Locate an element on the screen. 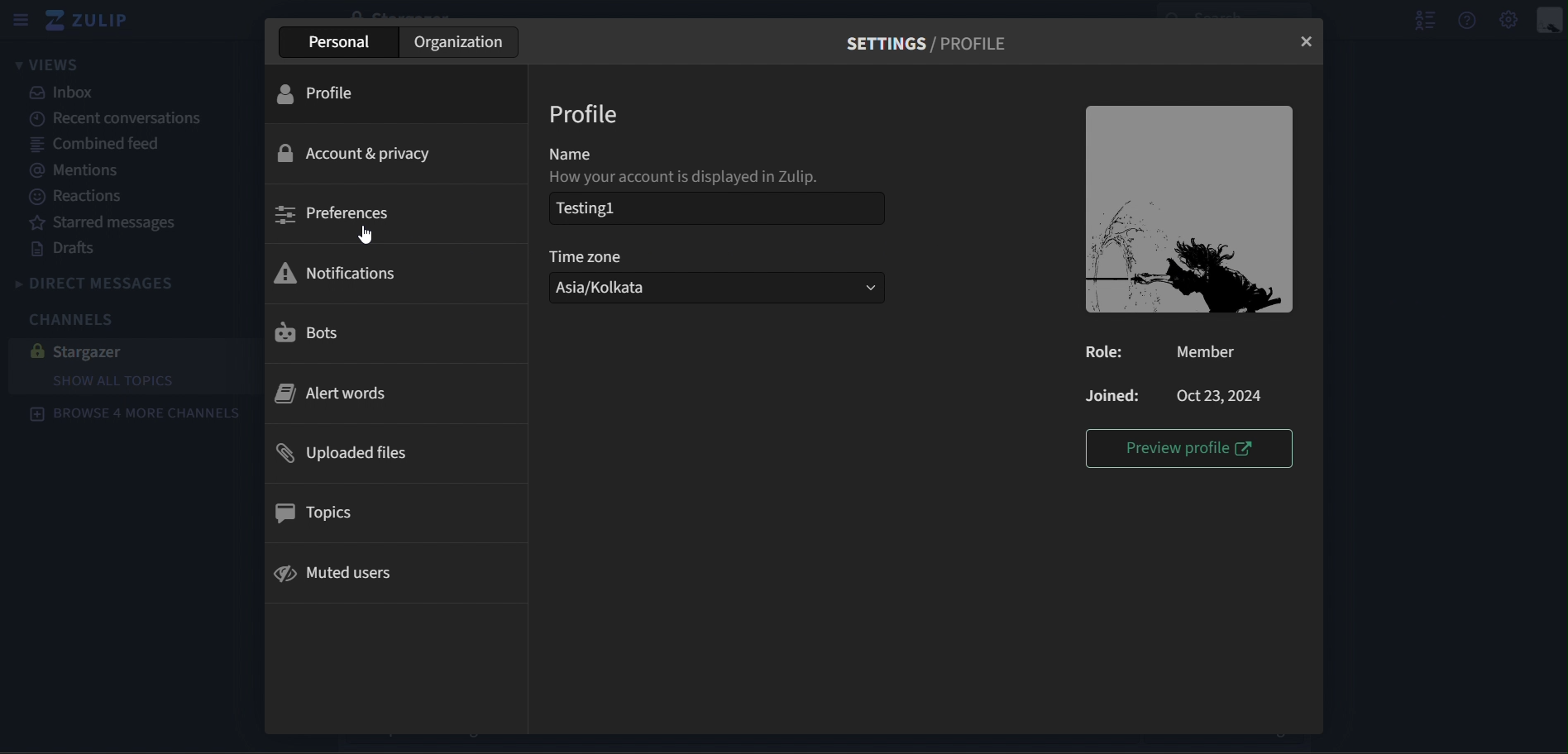 The image size is (1568, 754). bots is located at coordinates (323, 332).